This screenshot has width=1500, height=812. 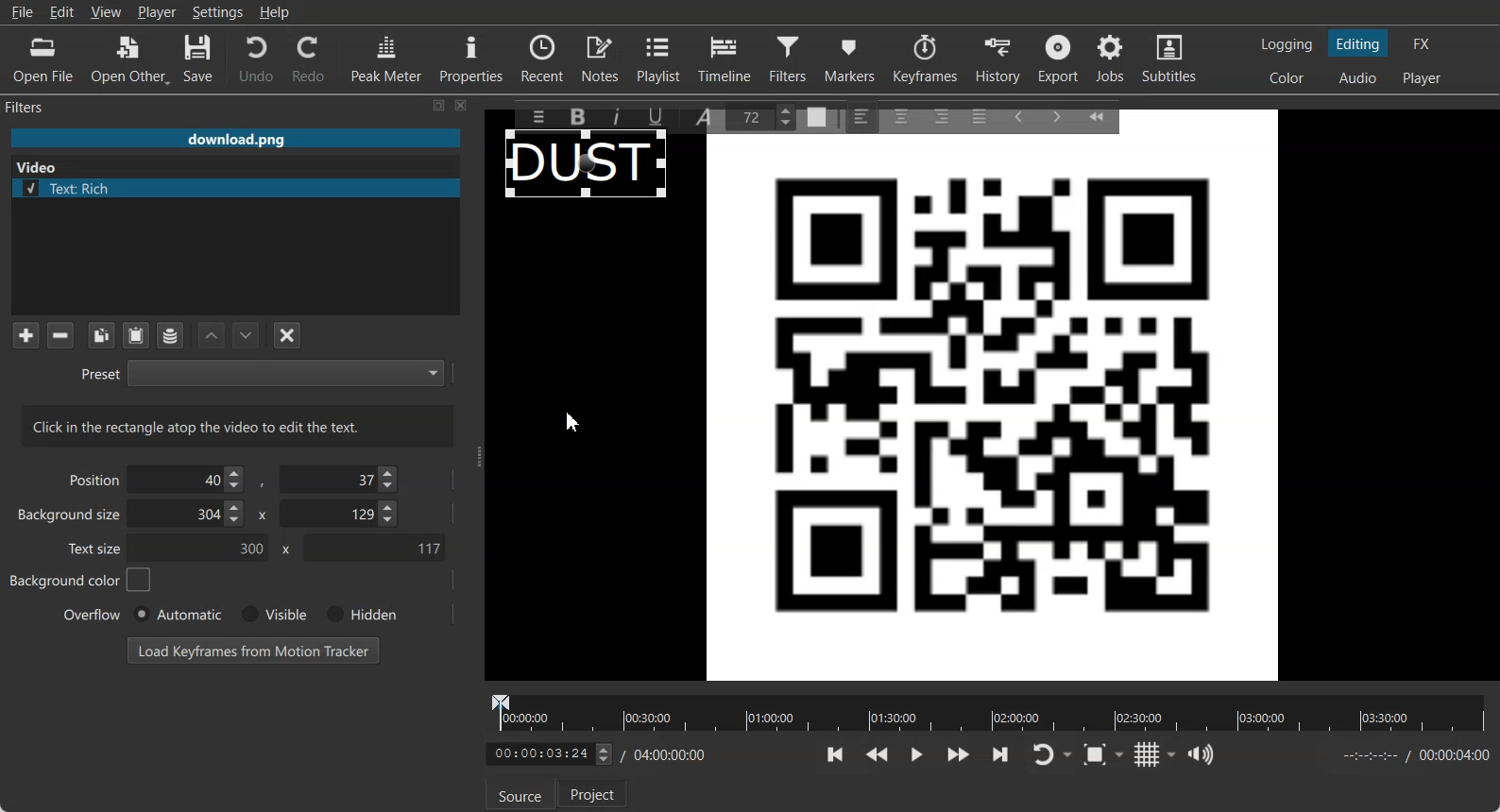 What do you see at coordinates (60, 334) in the screenshot?
I see `Remove selected Filter` at bounding box center [60, 334].